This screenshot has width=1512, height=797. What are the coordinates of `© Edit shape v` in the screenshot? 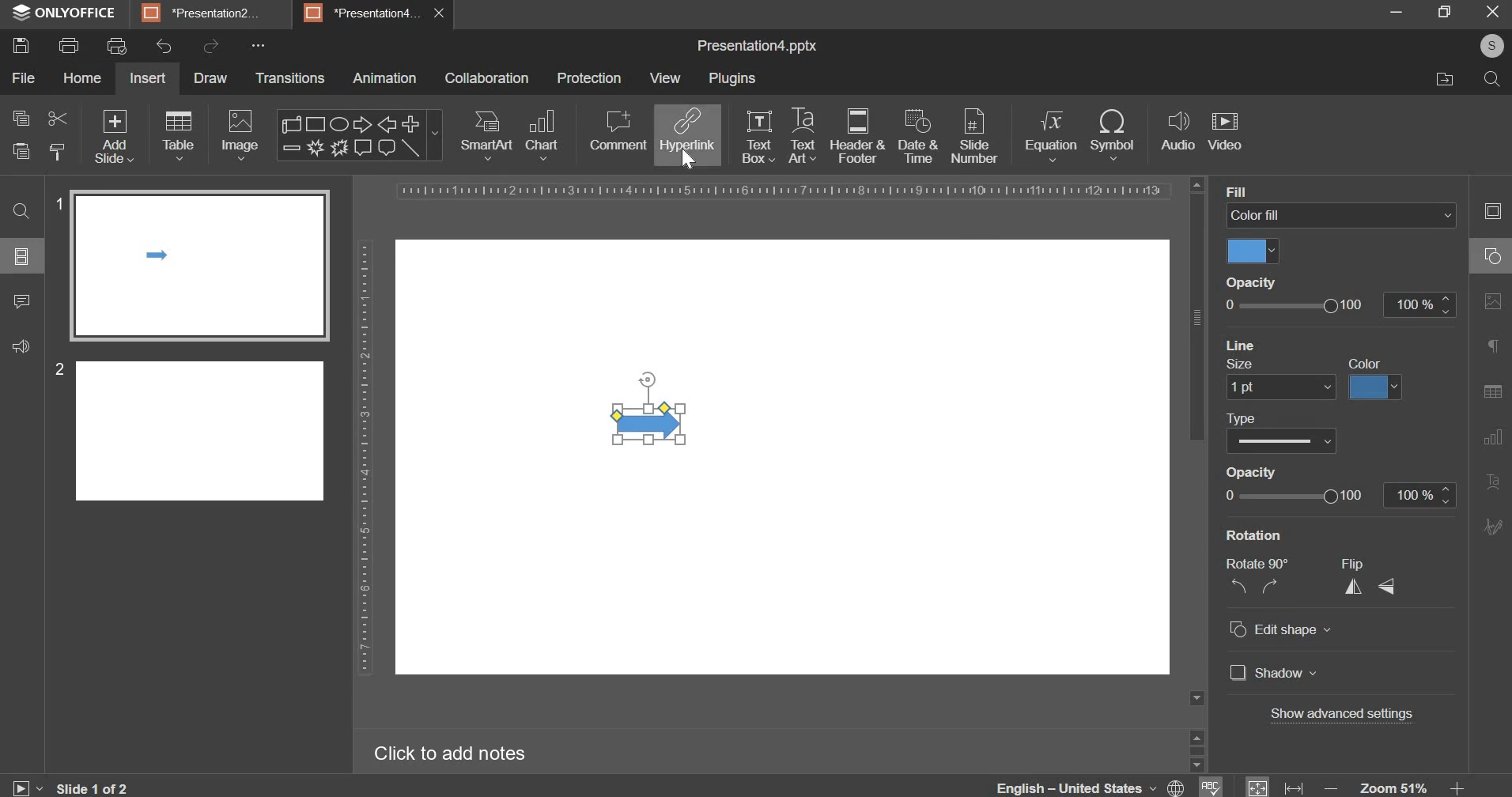 It's located at (1283, 633).